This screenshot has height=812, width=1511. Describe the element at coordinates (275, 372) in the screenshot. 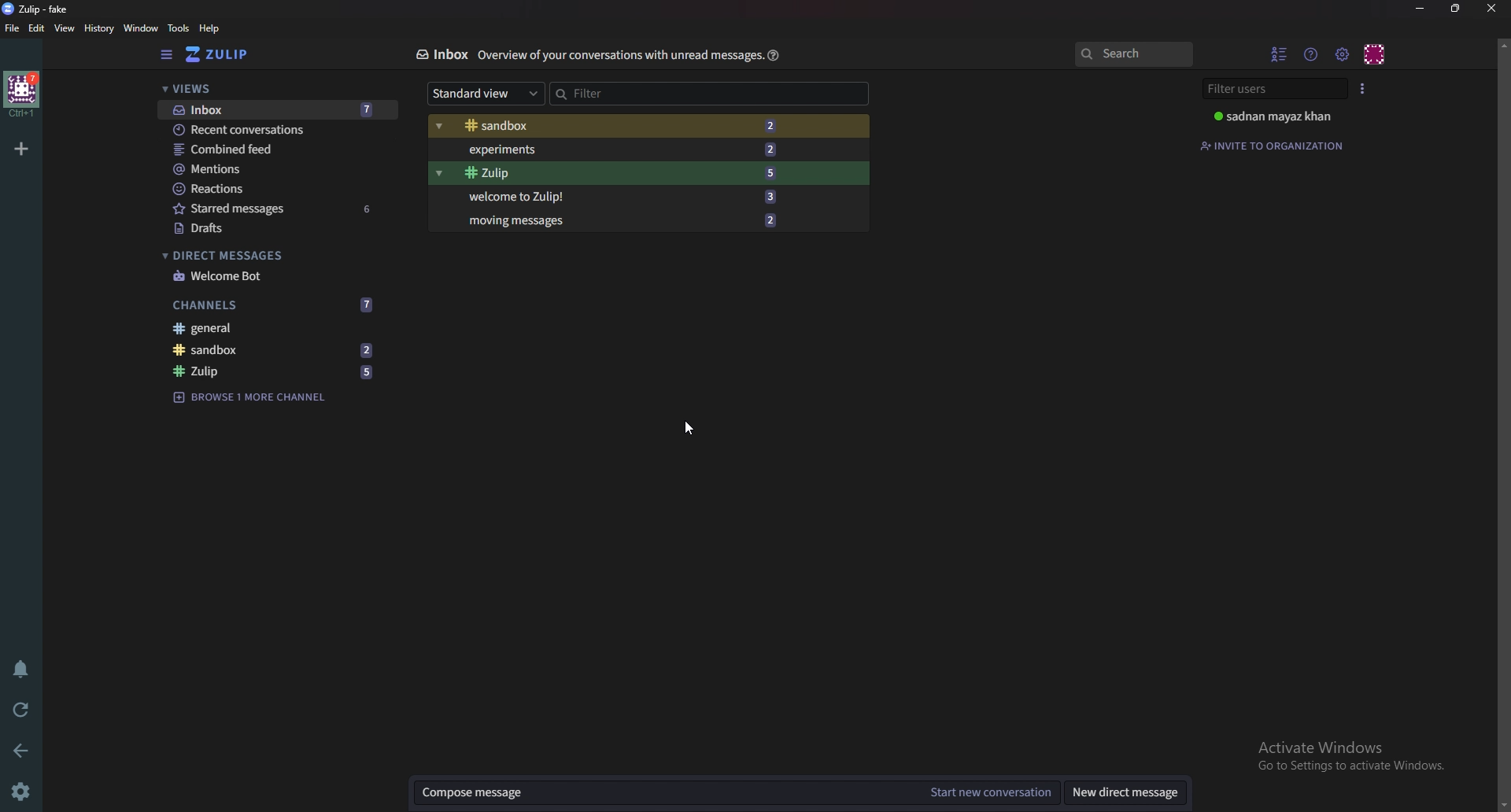

I see `Zulip` at that location.